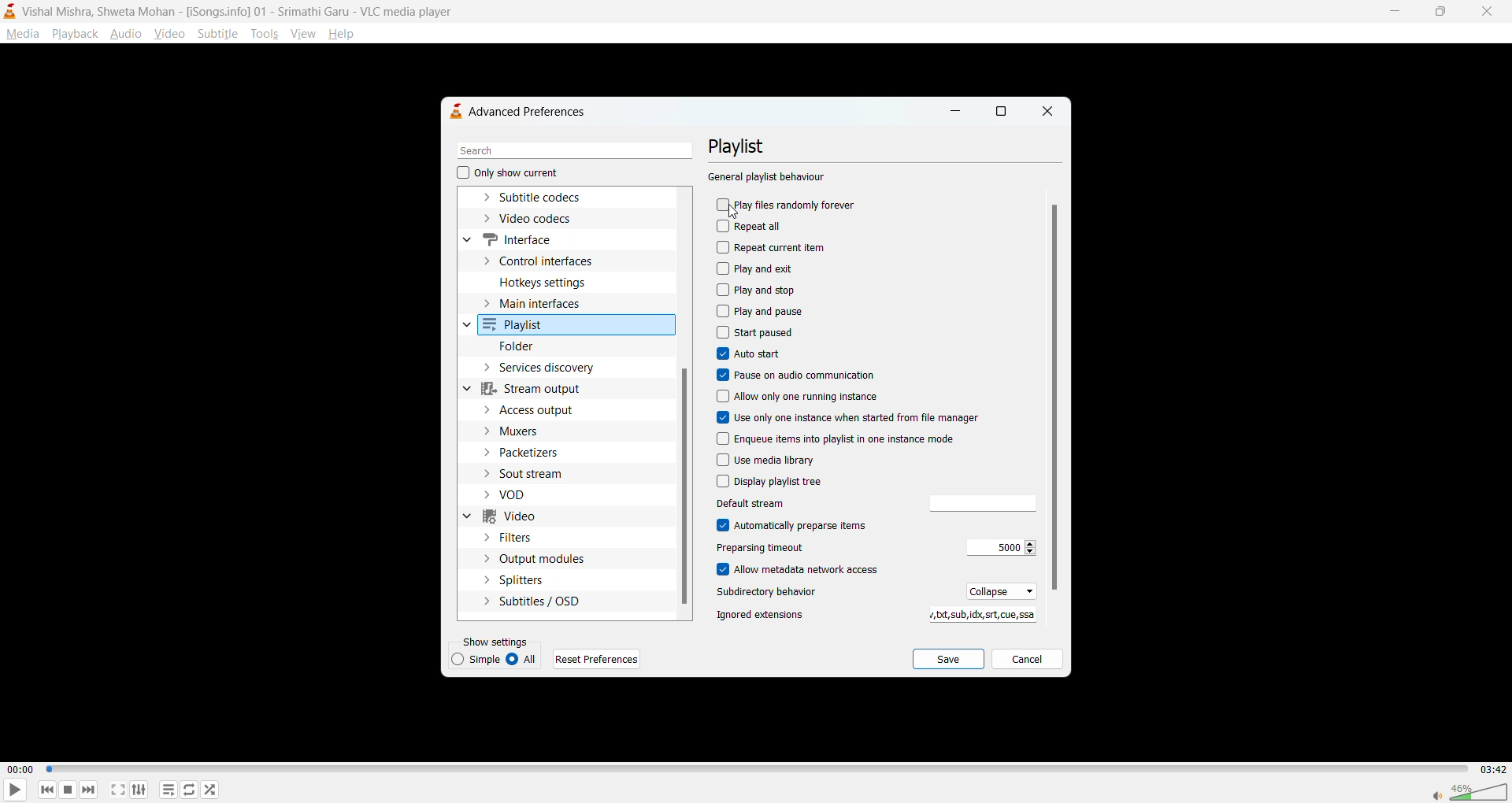  I want to click on folder, so click(521, 347).